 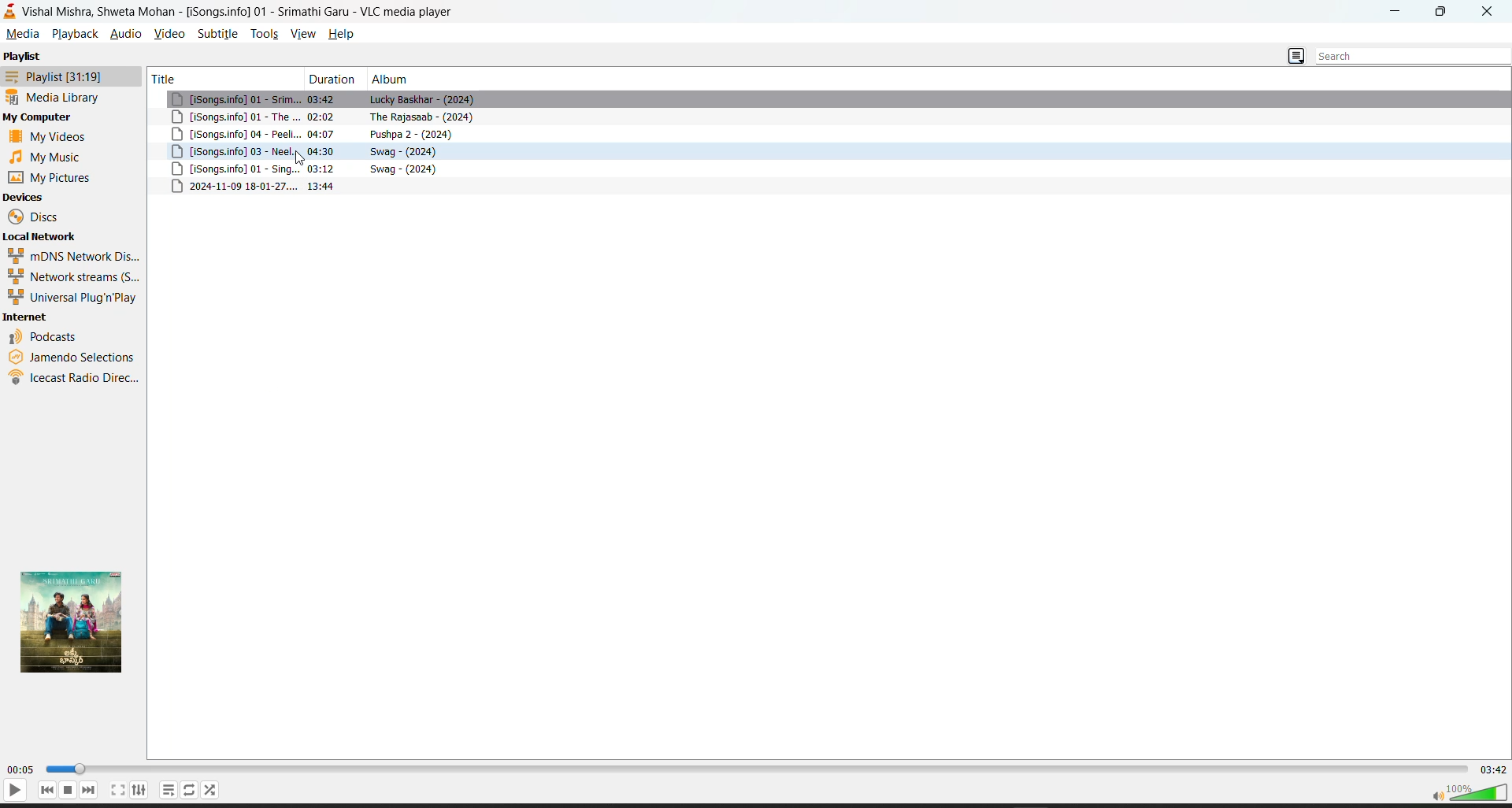 What do you see at coordinates (173, 77) in the screenshot?
I see `title` at bounding box center [173, 77].